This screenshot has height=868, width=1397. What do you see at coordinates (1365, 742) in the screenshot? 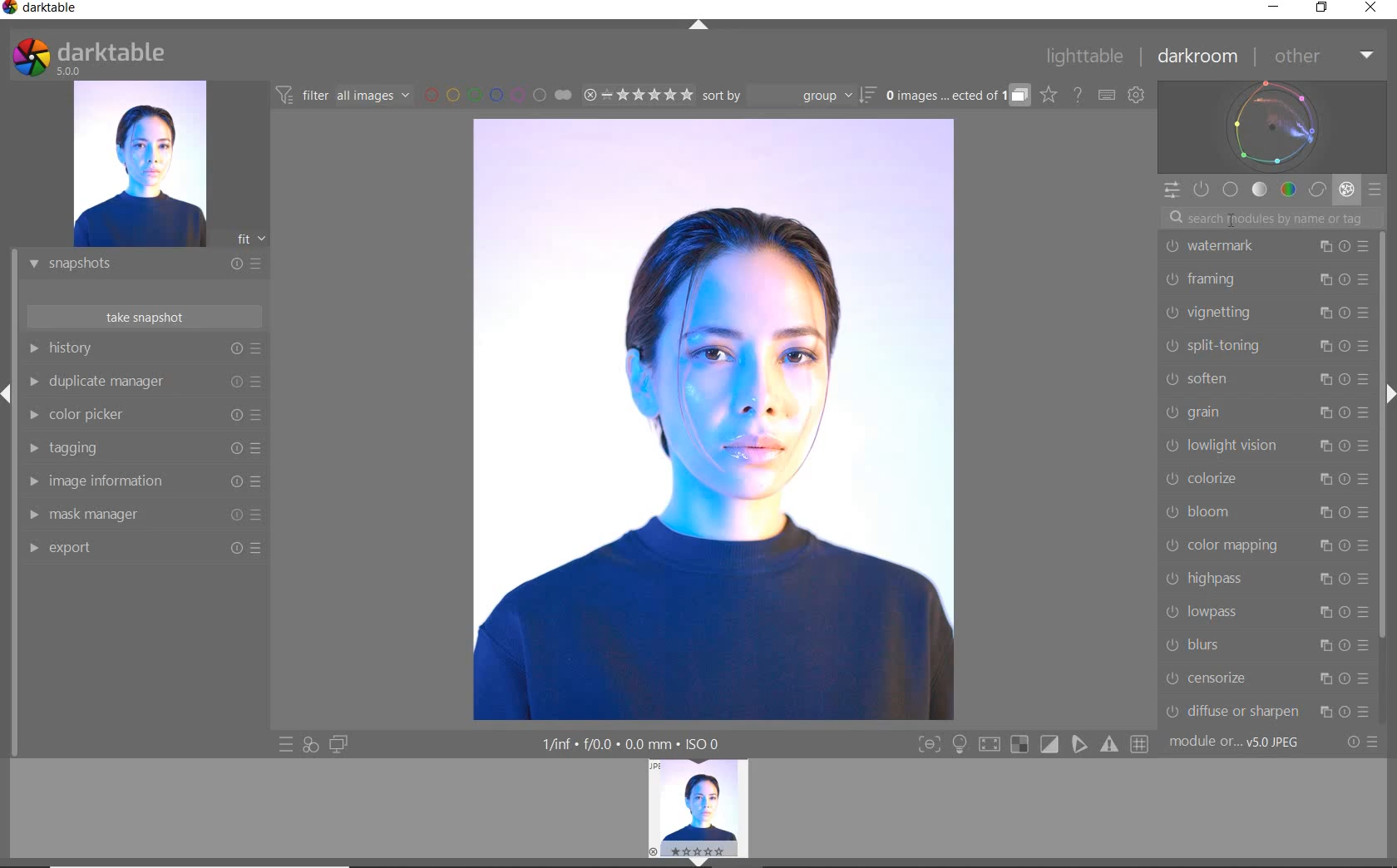
I see `RESET OR PRESETS & PREFERENCES` at bounding box center [1365, 742].